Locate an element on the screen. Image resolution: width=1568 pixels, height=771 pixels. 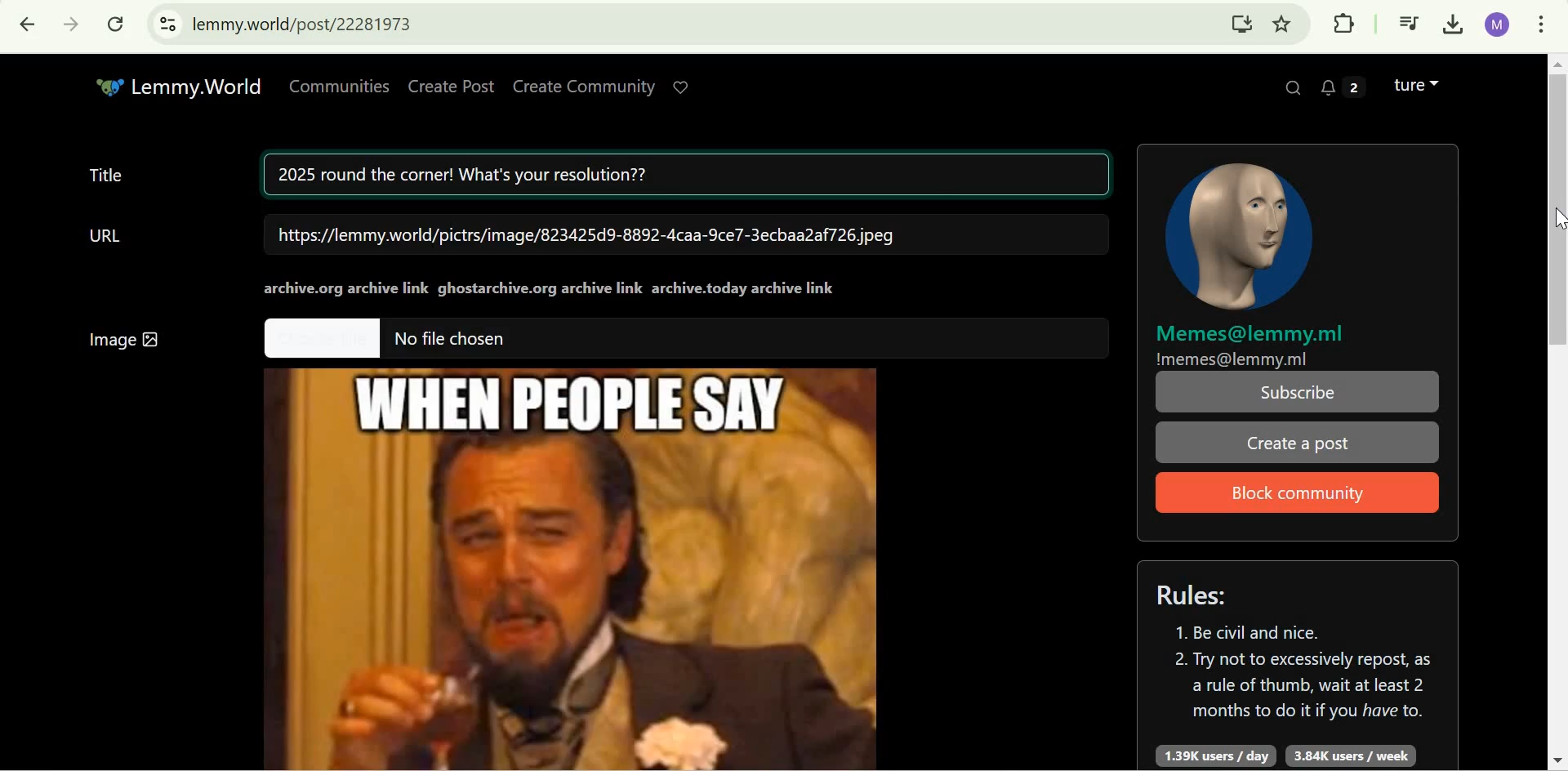
Image is located at coordinates (582, 562).